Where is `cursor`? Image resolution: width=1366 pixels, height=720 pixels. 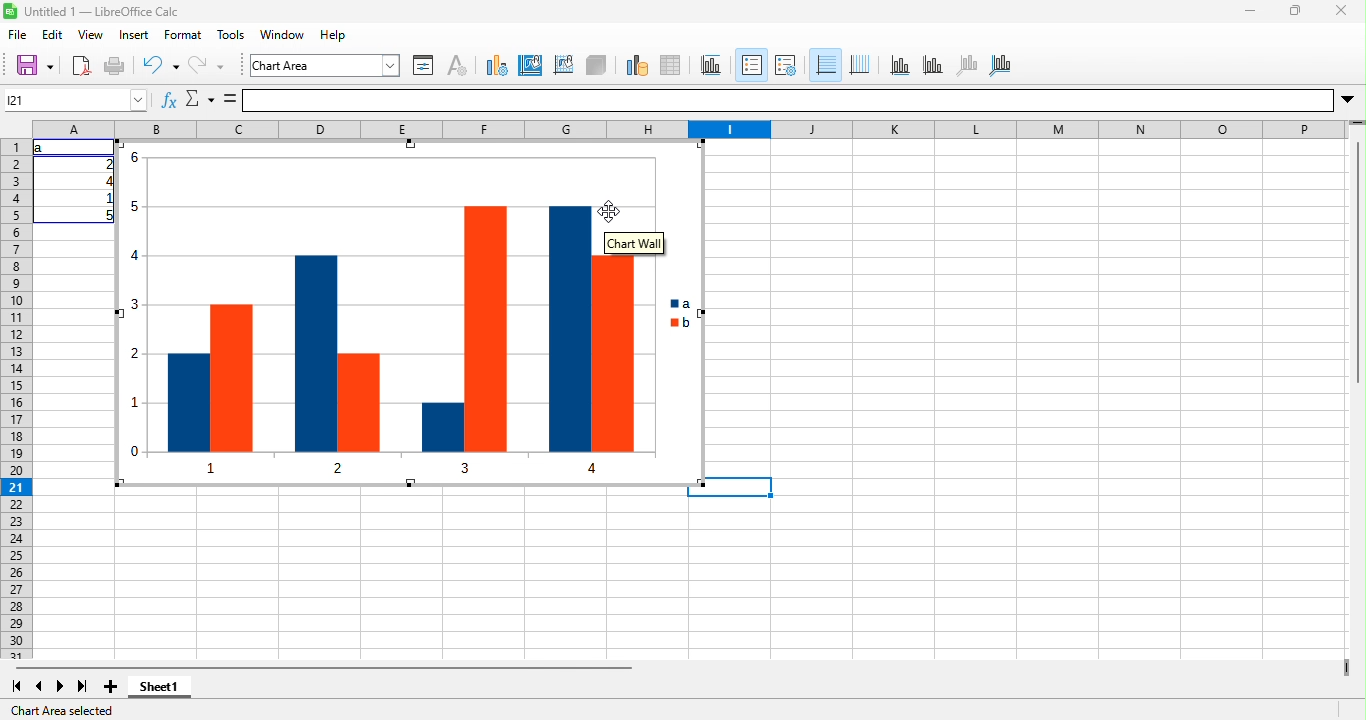
cursor is located at coordinates (608, 211).